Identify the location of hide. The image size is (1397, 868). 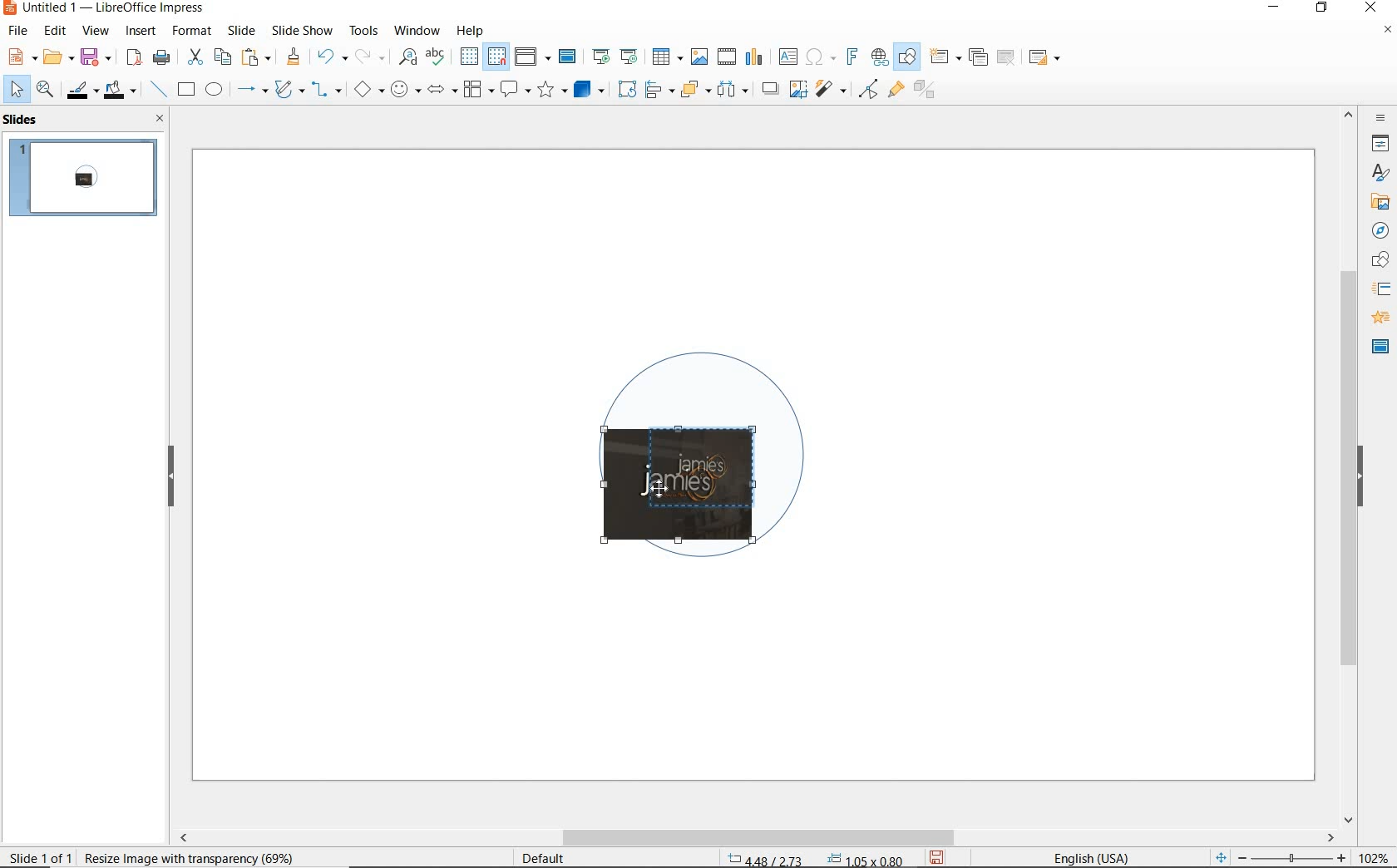
(1360, 478).